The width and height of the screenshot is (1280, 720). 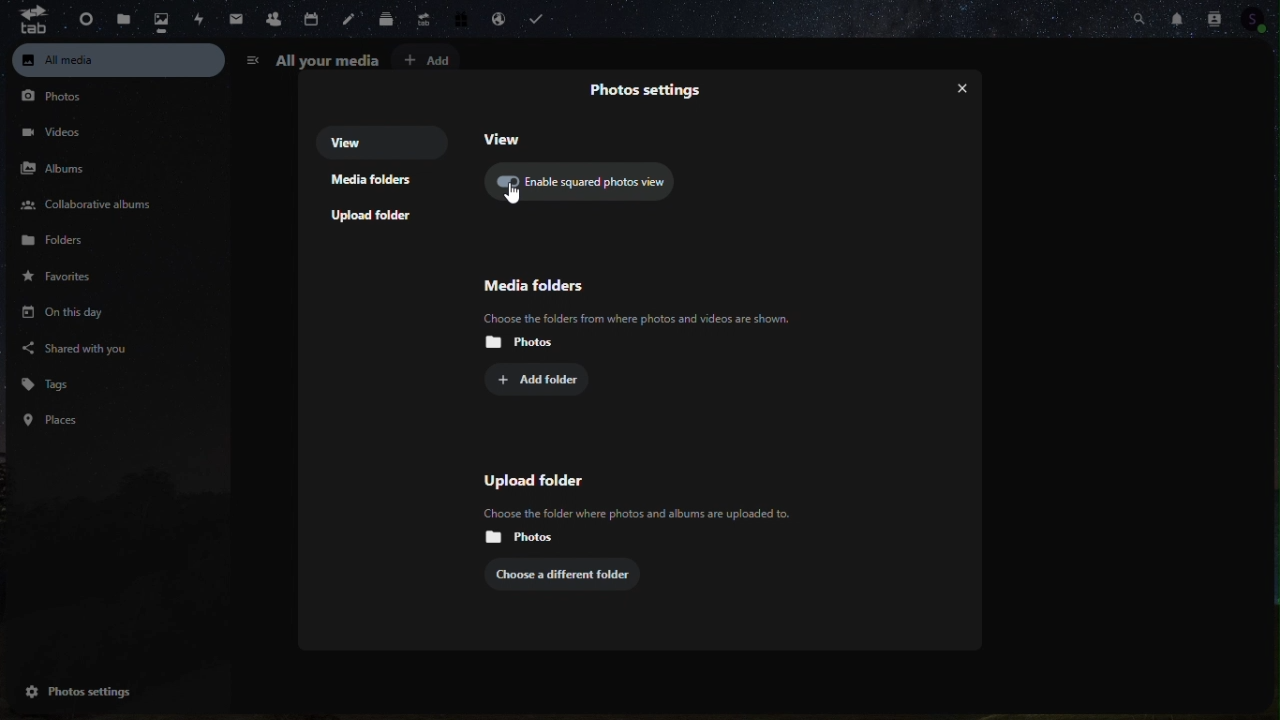 What do you see at coordinates (61, 100) in the screenshot?
I see `Photos` at bounding box center [61, 100].